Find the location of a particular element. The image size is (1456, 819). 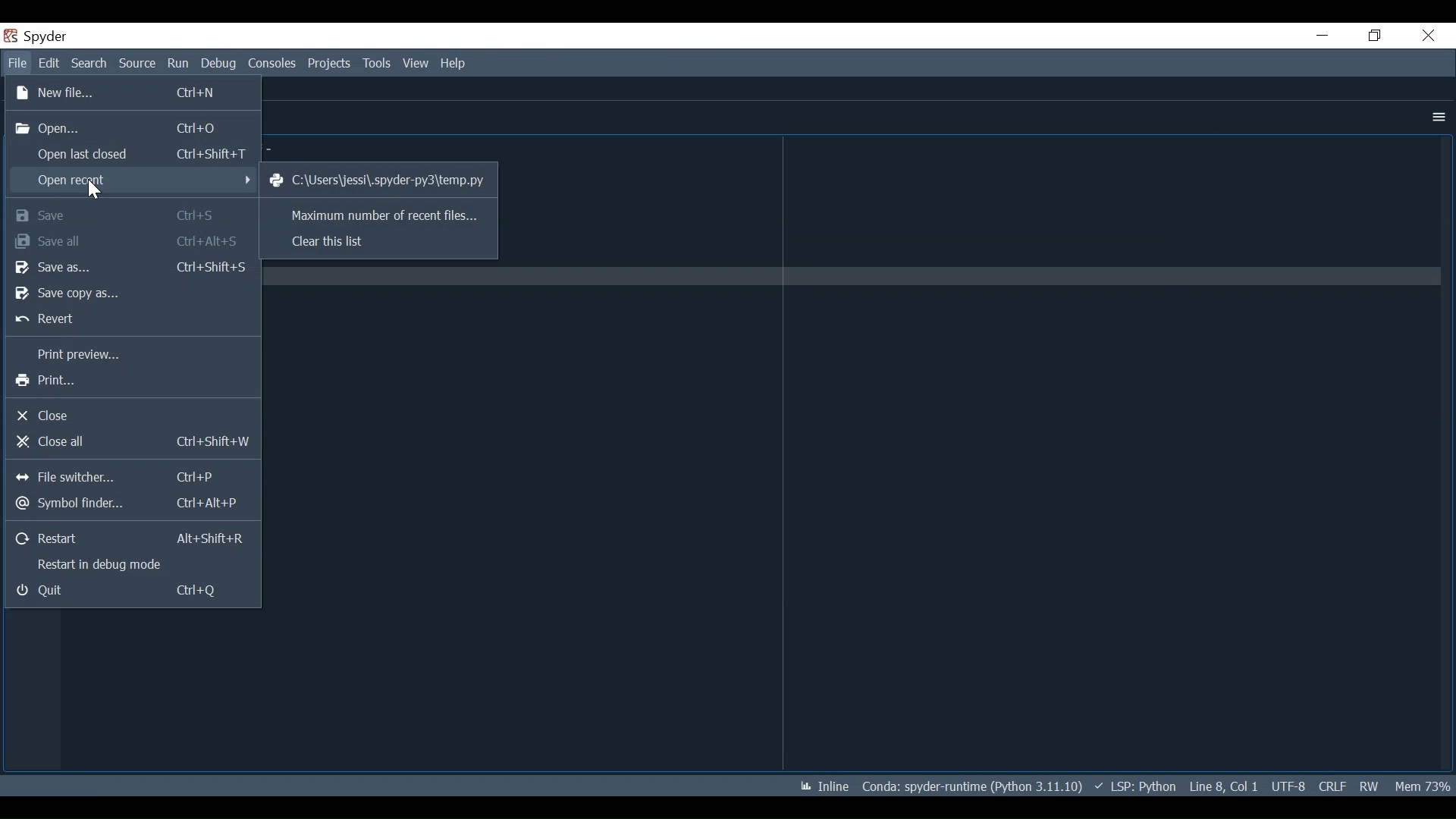

Tools is located at coordinates (378, 63).